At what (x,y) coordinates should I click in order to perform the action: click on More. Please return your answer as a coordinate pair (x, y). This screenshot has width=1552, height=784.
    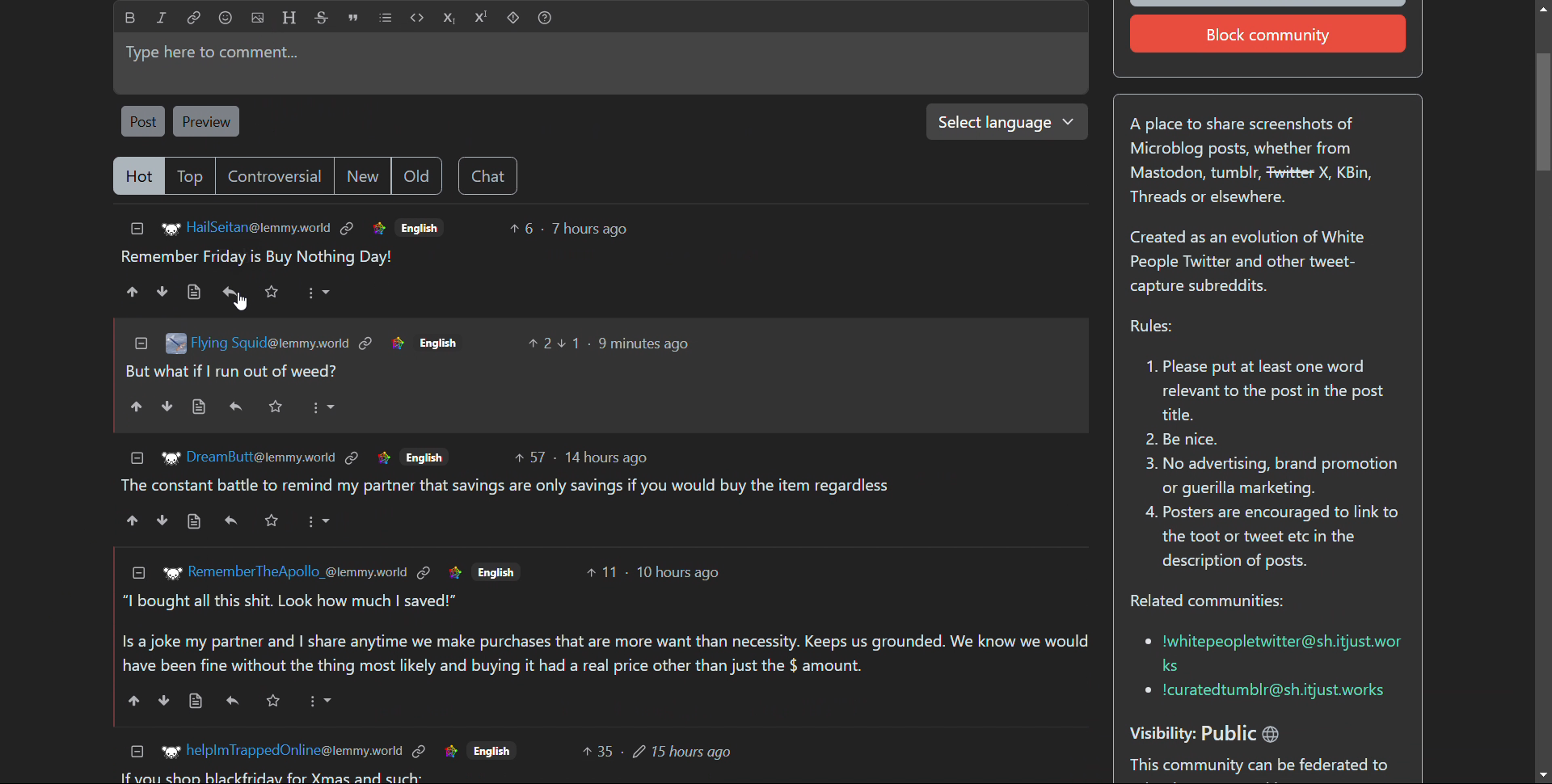
    Looking at the image, I should click on (325, 703).